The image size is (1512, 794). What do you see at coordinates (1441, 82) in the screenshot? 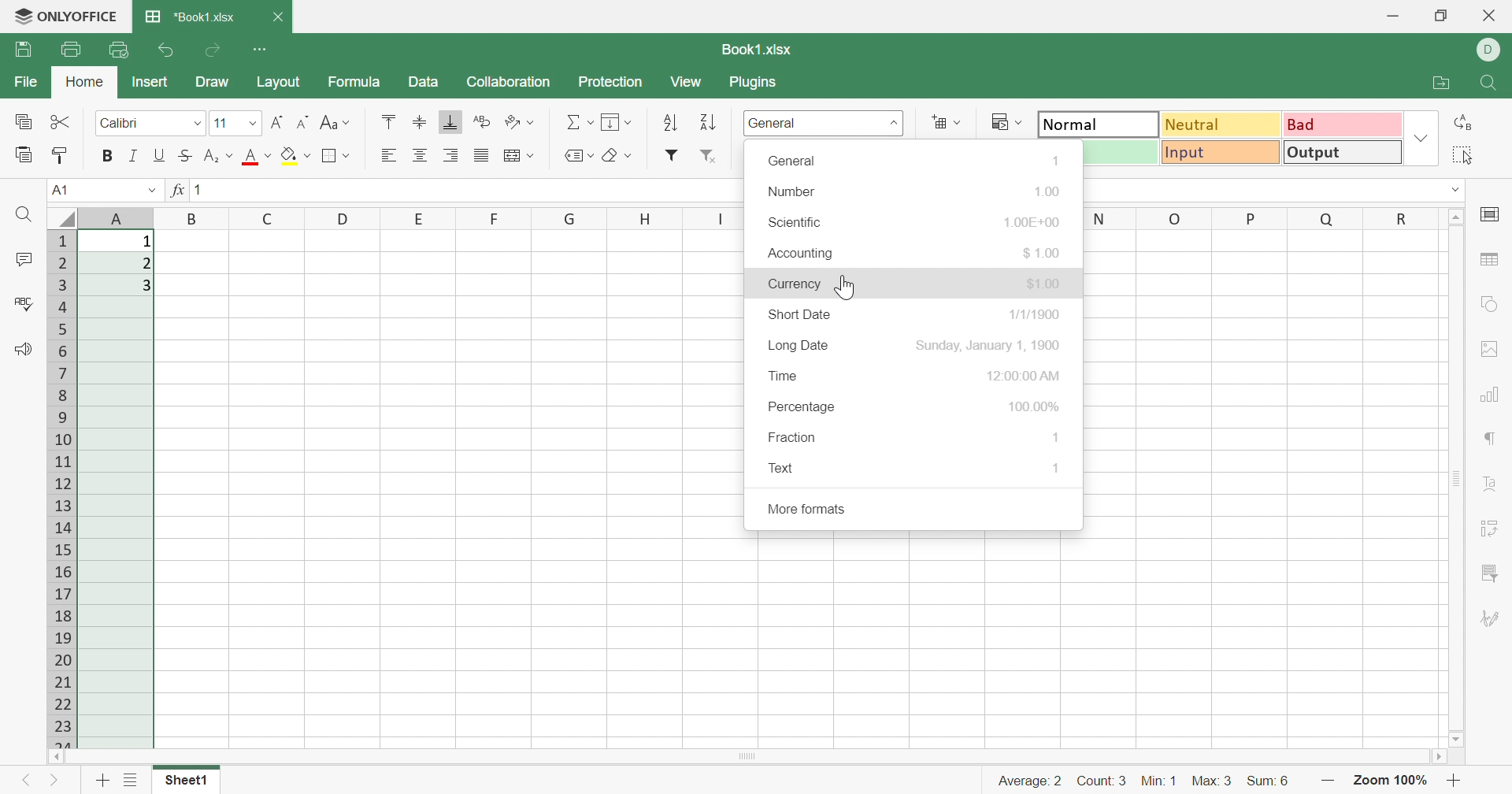
I see `Open file location` at bounding box center [1441, 82].